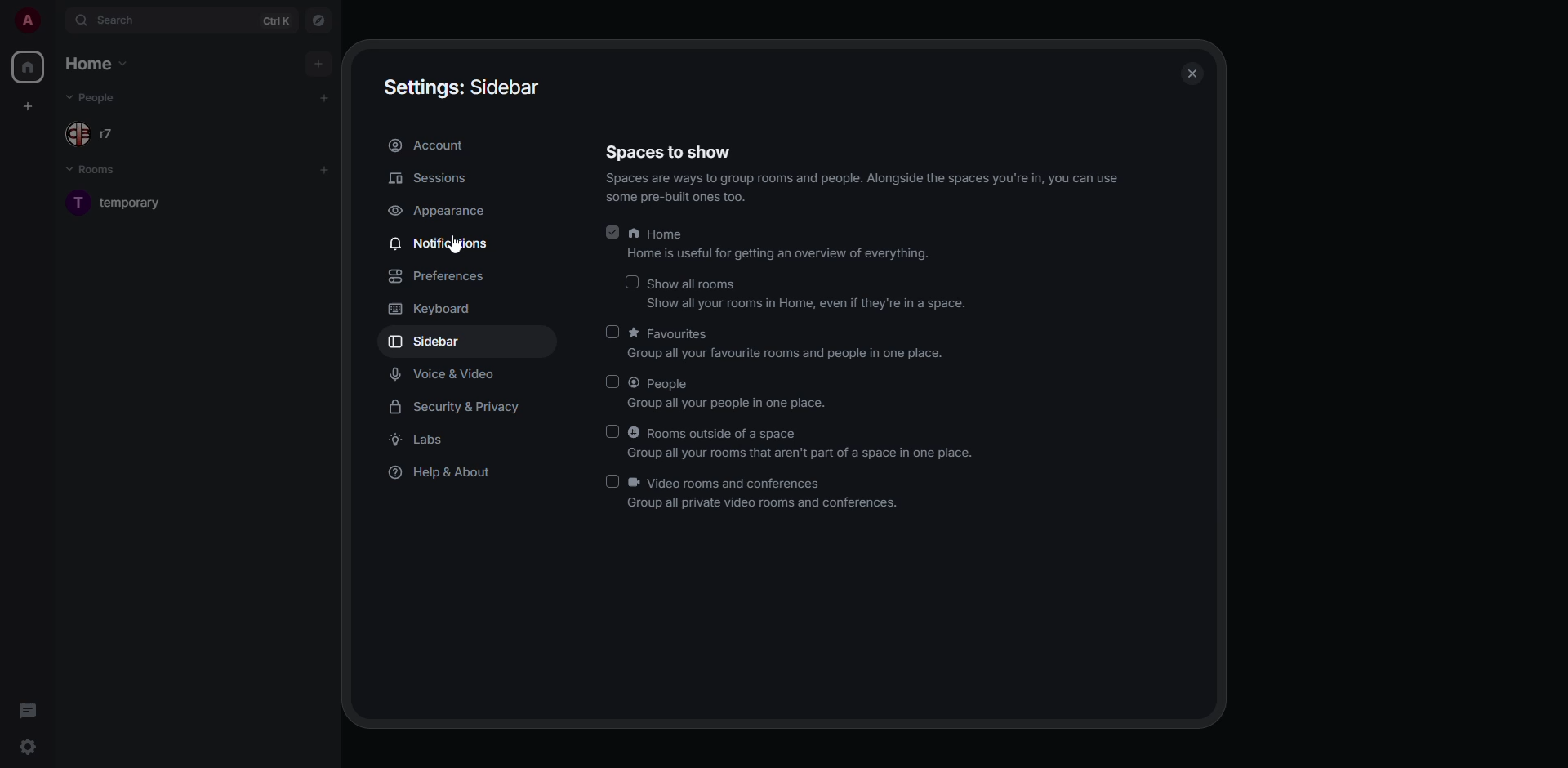  Describe the element at coordinates (319, 22) in the screenshot. I see `navigator` at that location.